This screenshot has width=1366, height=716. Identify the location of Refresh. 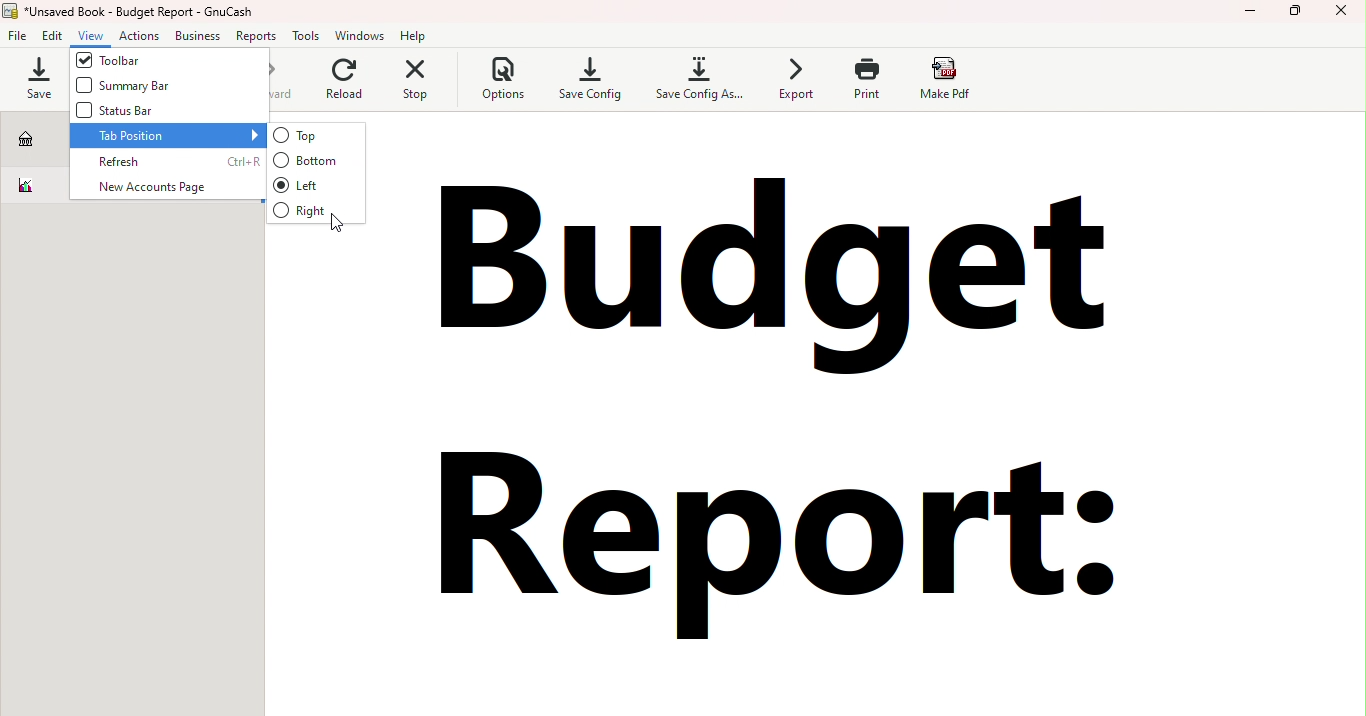
(167, 159).